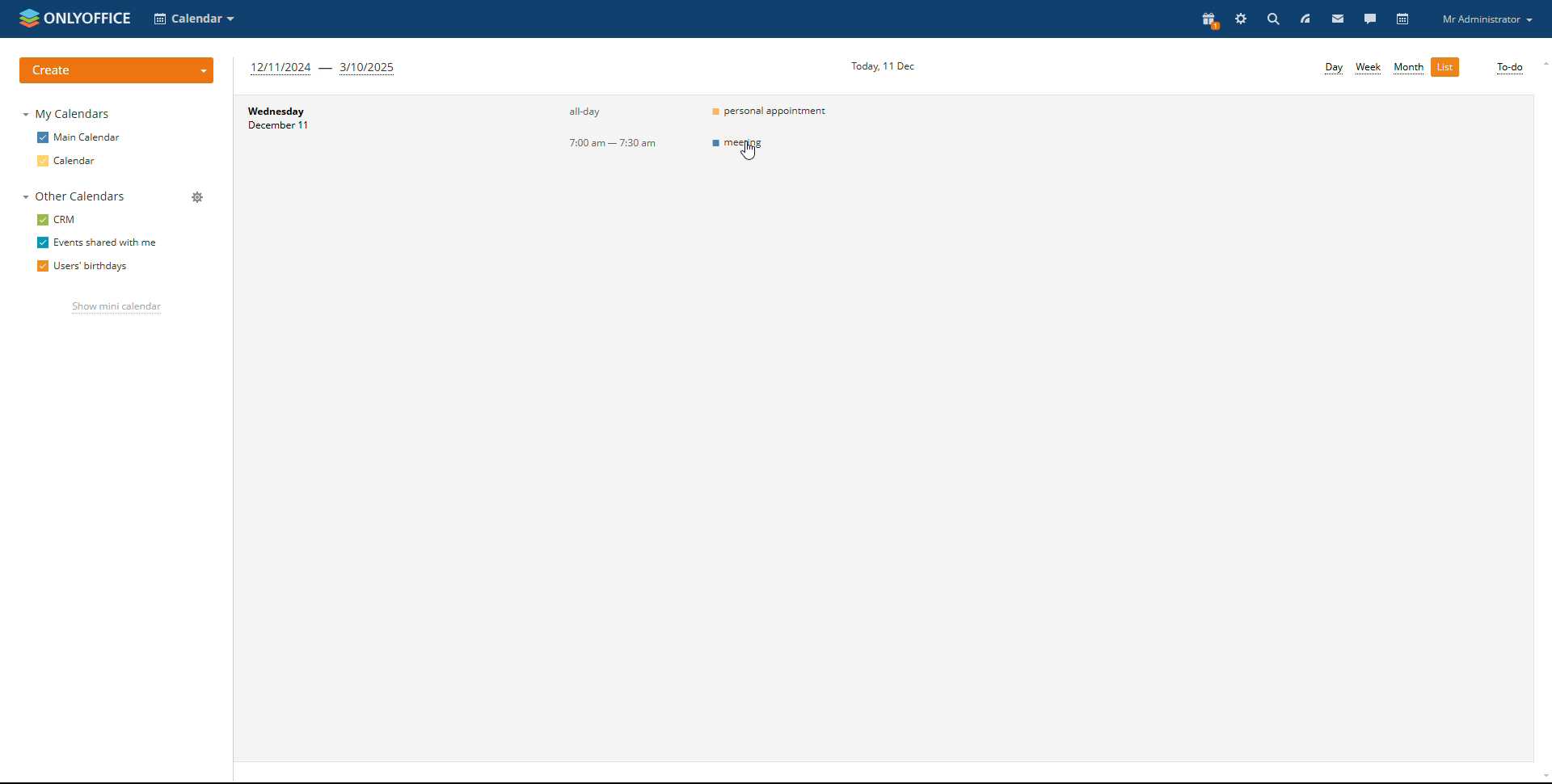 The image size is (1552, 784). What do you see at coordinates (1487, 19) in the screenshot?
I see `profile` at bounding box center [1487, 19].